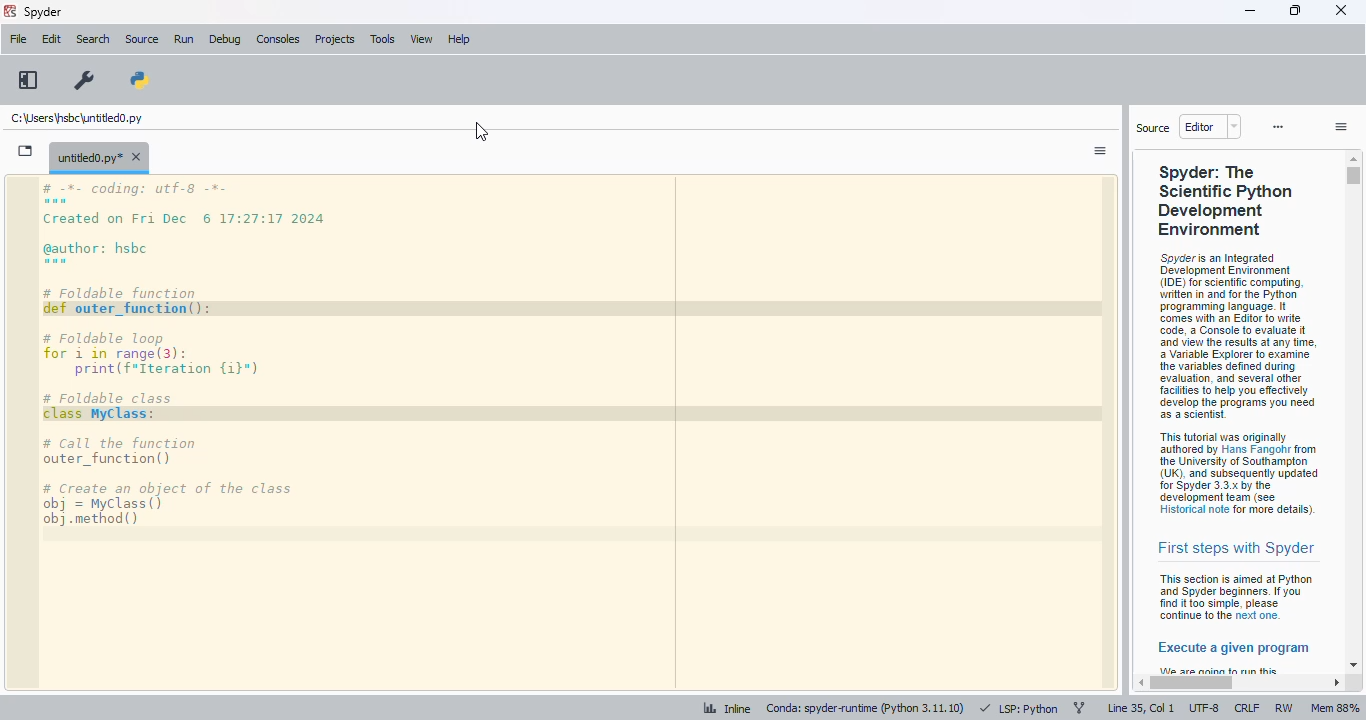  What do you see at coordinates (1240, 412) in the screenshot?
I see `help viewer` at bounding box center [1240, 412].